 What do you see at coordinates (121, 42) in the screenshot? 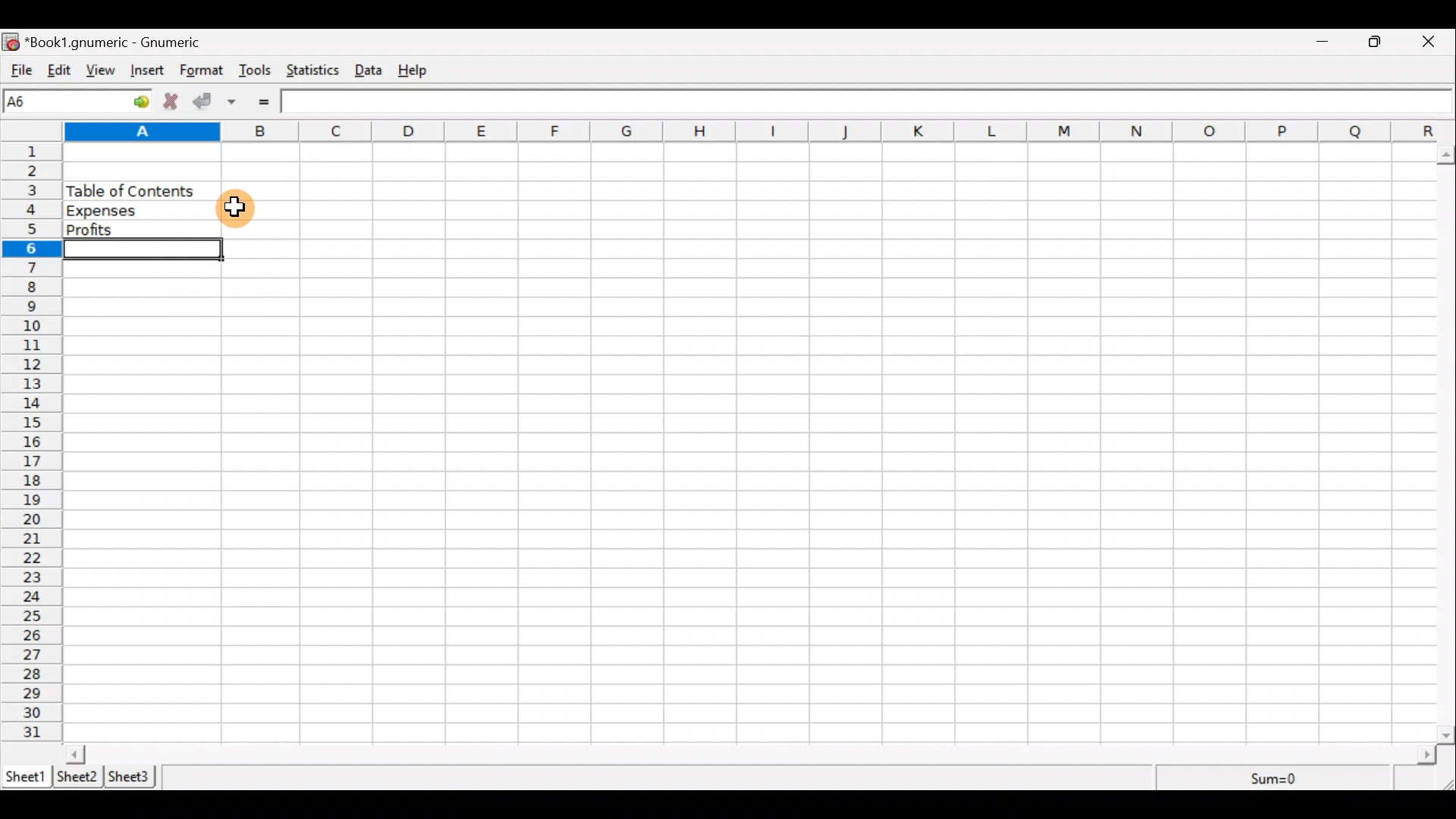
I see `“Book1.gnumeric - Gnumeric` at bounding box center [121, 42].